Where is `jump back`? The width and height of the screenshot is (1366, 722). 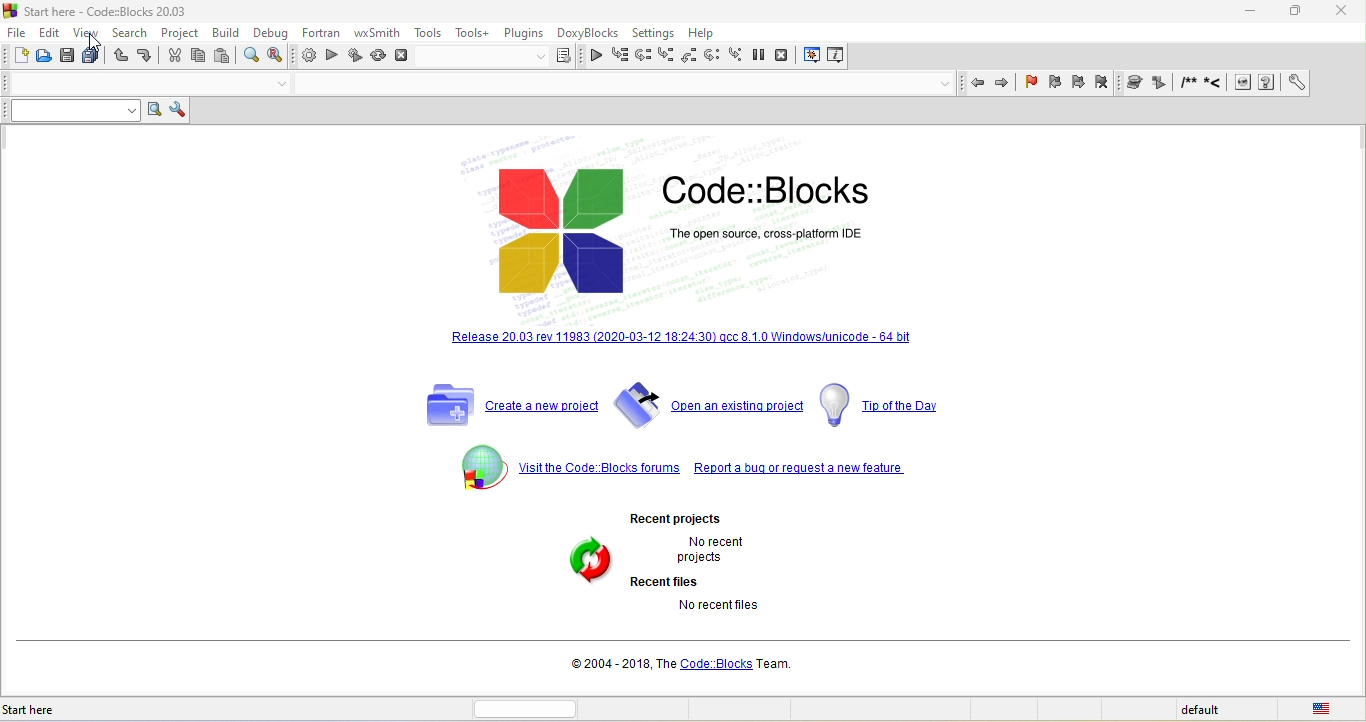
jump back is located at coordinates (978, 84).